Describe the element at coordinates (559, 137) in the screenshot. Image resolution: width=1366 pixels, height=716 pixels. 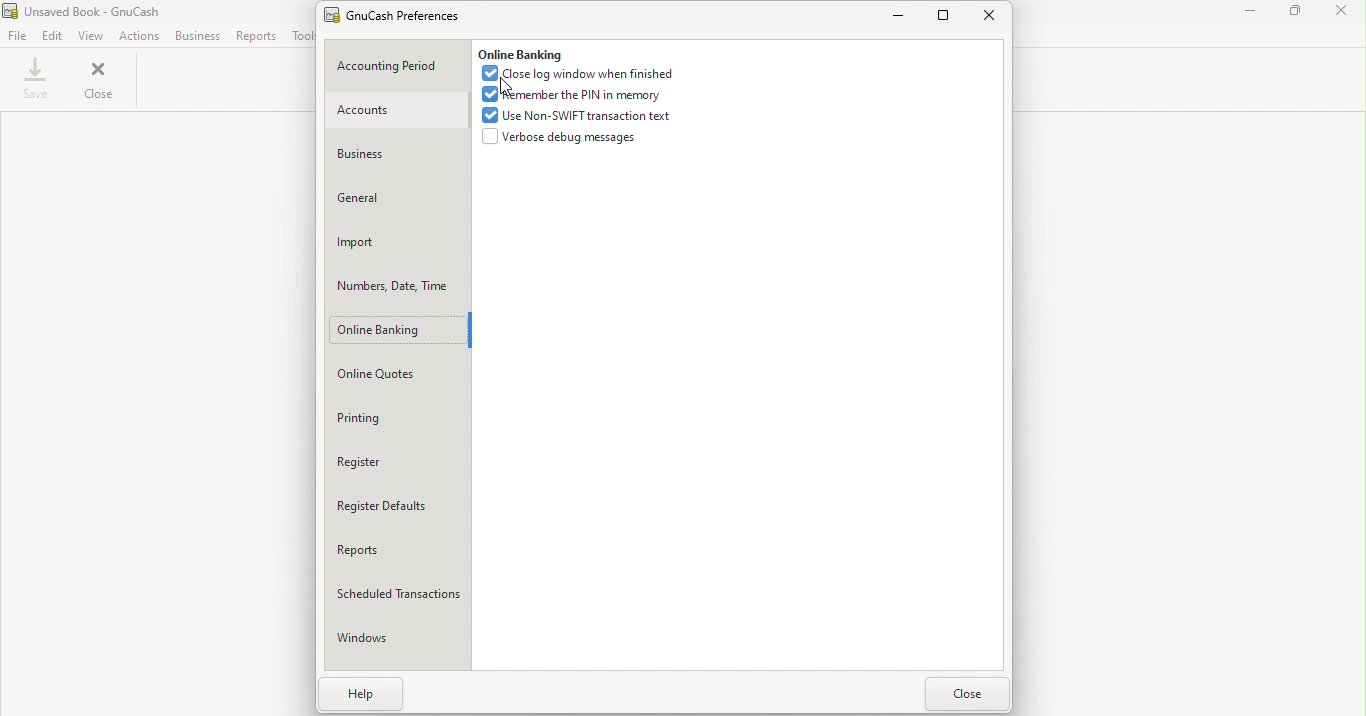
I see `Verbose debug messages` at that location.